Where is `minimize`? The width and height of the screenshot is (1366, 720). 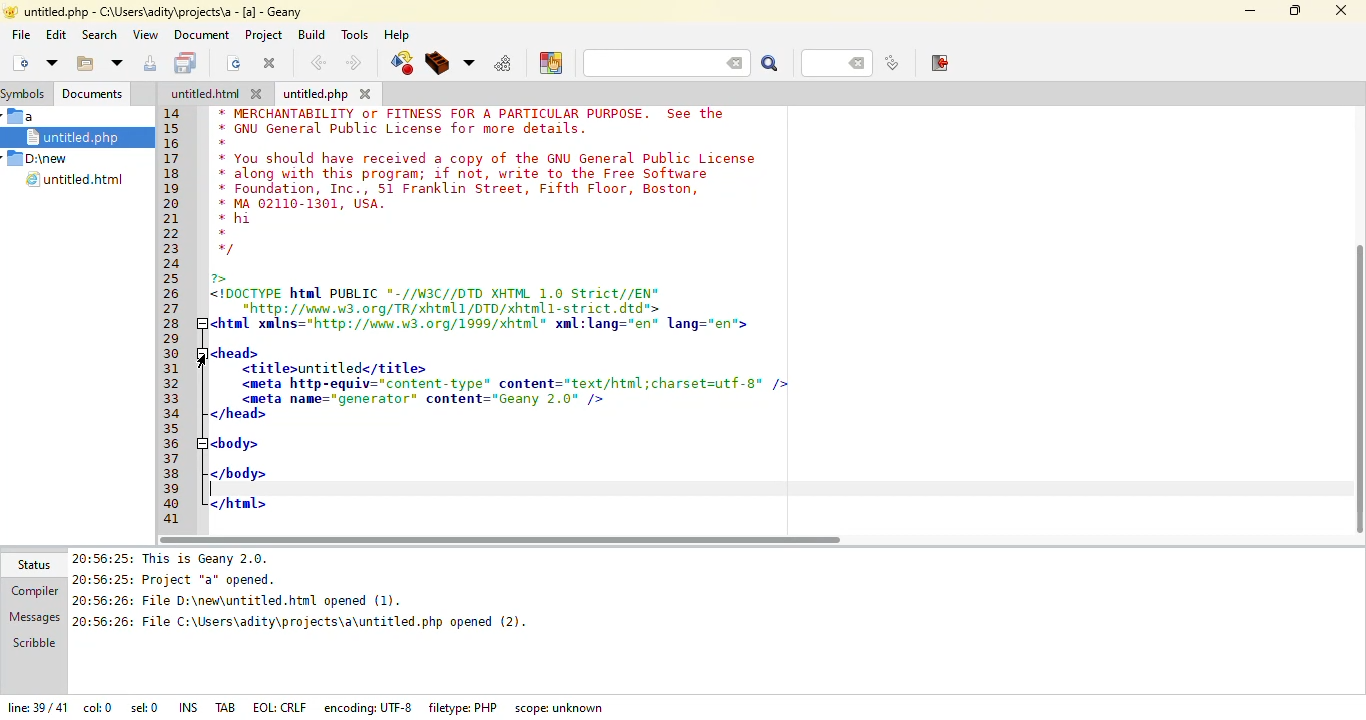 minimize is located at coordinates (1250, 10).